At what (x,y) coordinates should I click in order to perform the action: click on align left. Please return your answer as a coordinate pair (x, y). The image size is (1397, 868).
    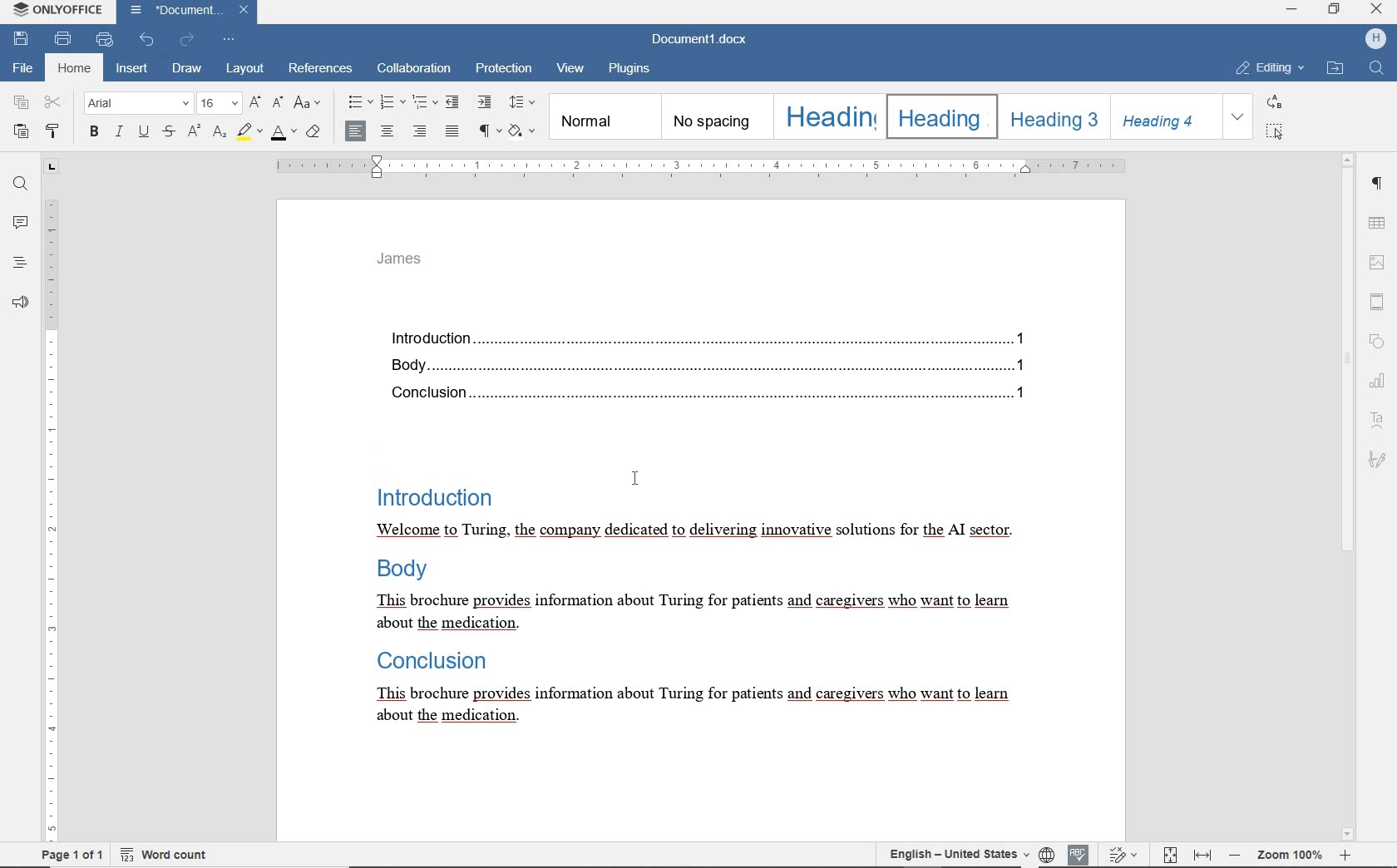
    Looking at the image, I should click on (356, 131).